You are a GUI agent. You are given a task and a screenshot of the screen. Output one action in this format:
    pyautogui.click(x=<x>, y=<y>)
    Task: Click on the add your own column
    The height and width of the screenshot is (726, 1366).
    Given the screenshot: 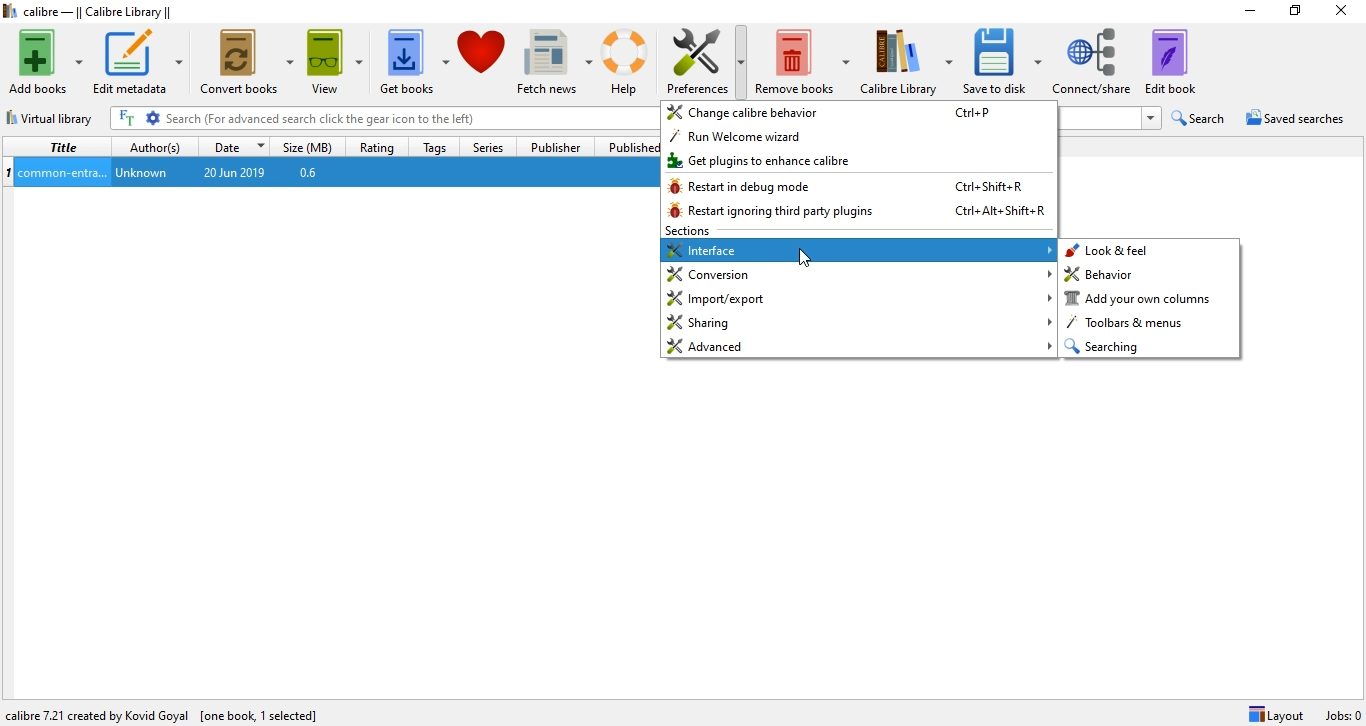 What is the action you would take?
    pyautogui.click(x=1150, y=299)
    